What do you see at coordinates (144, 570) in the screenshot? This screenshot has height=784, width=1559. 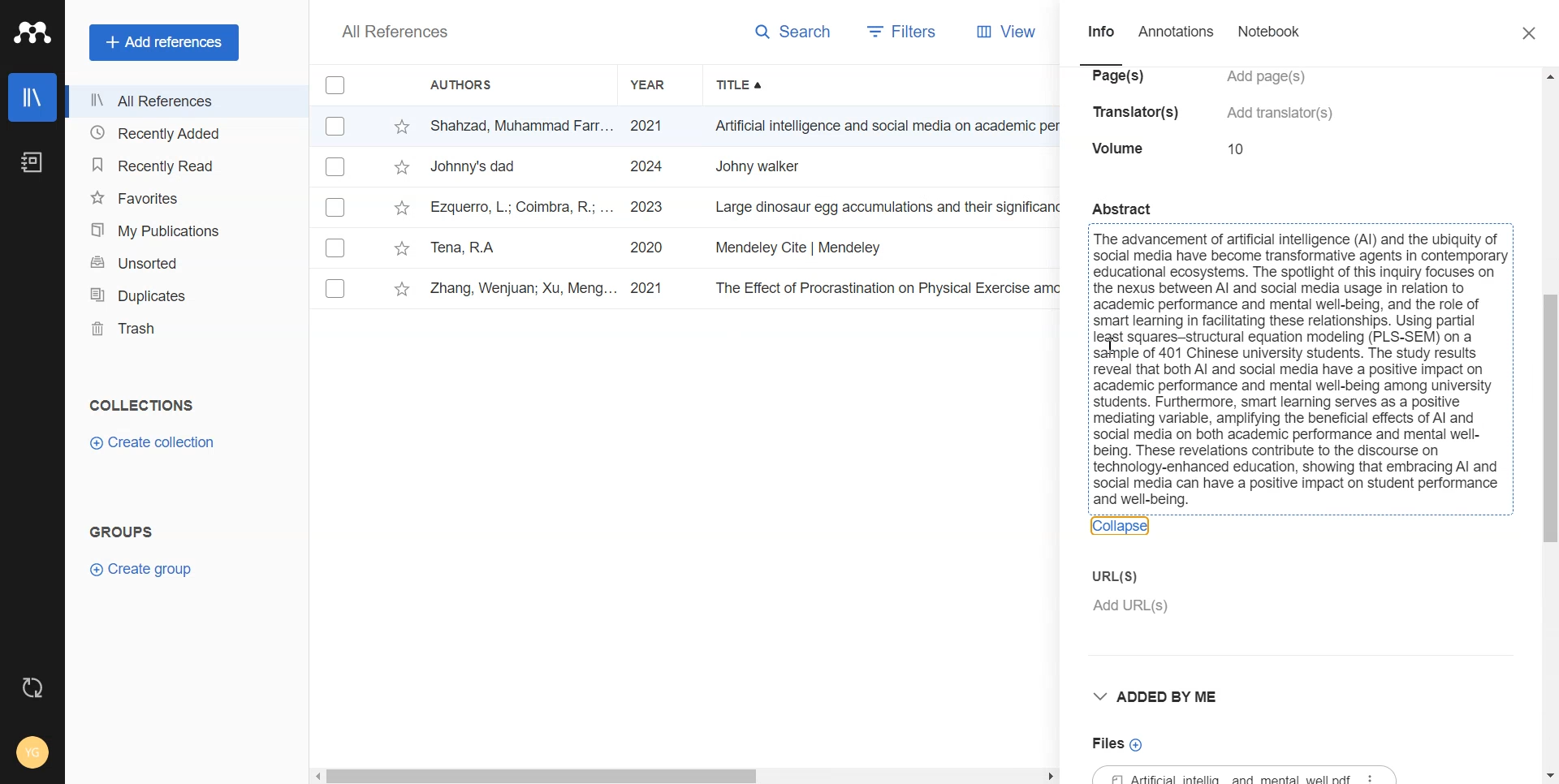 I see `Create group` at bounding box center [144, 570].